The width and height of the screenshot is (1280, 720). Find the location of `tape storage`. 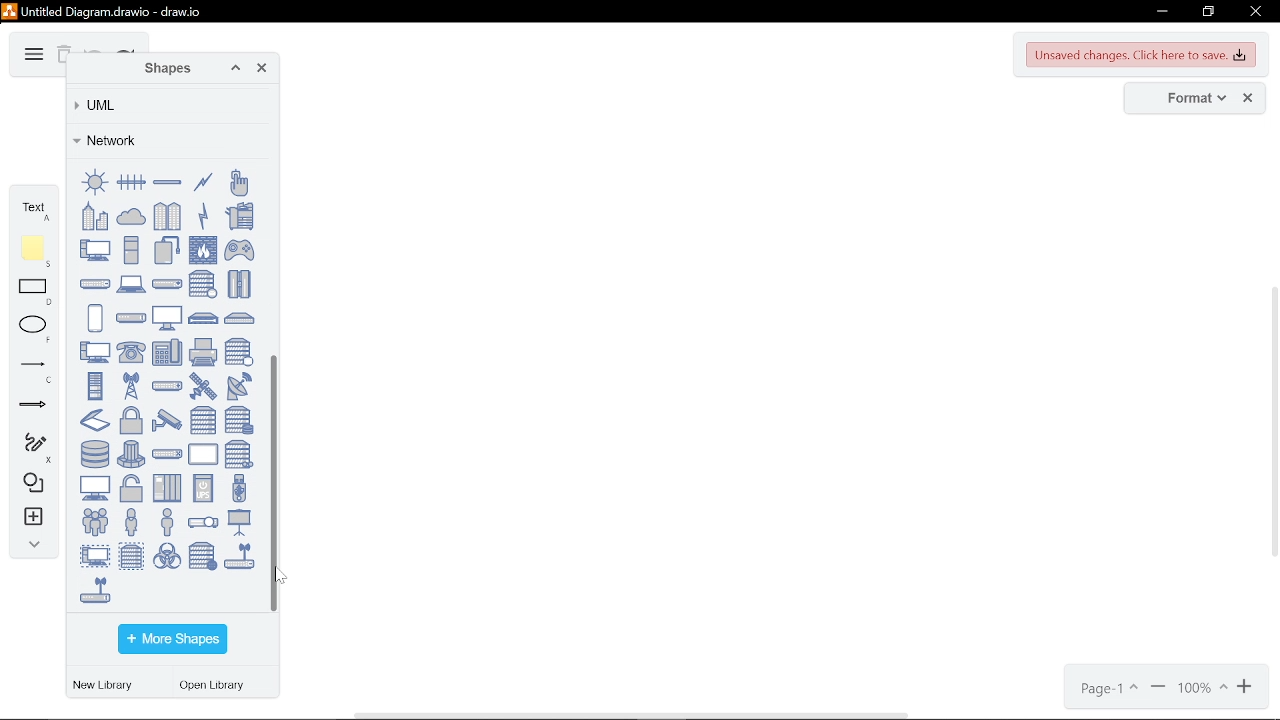

tape storage is located at coordinates (239, 454).